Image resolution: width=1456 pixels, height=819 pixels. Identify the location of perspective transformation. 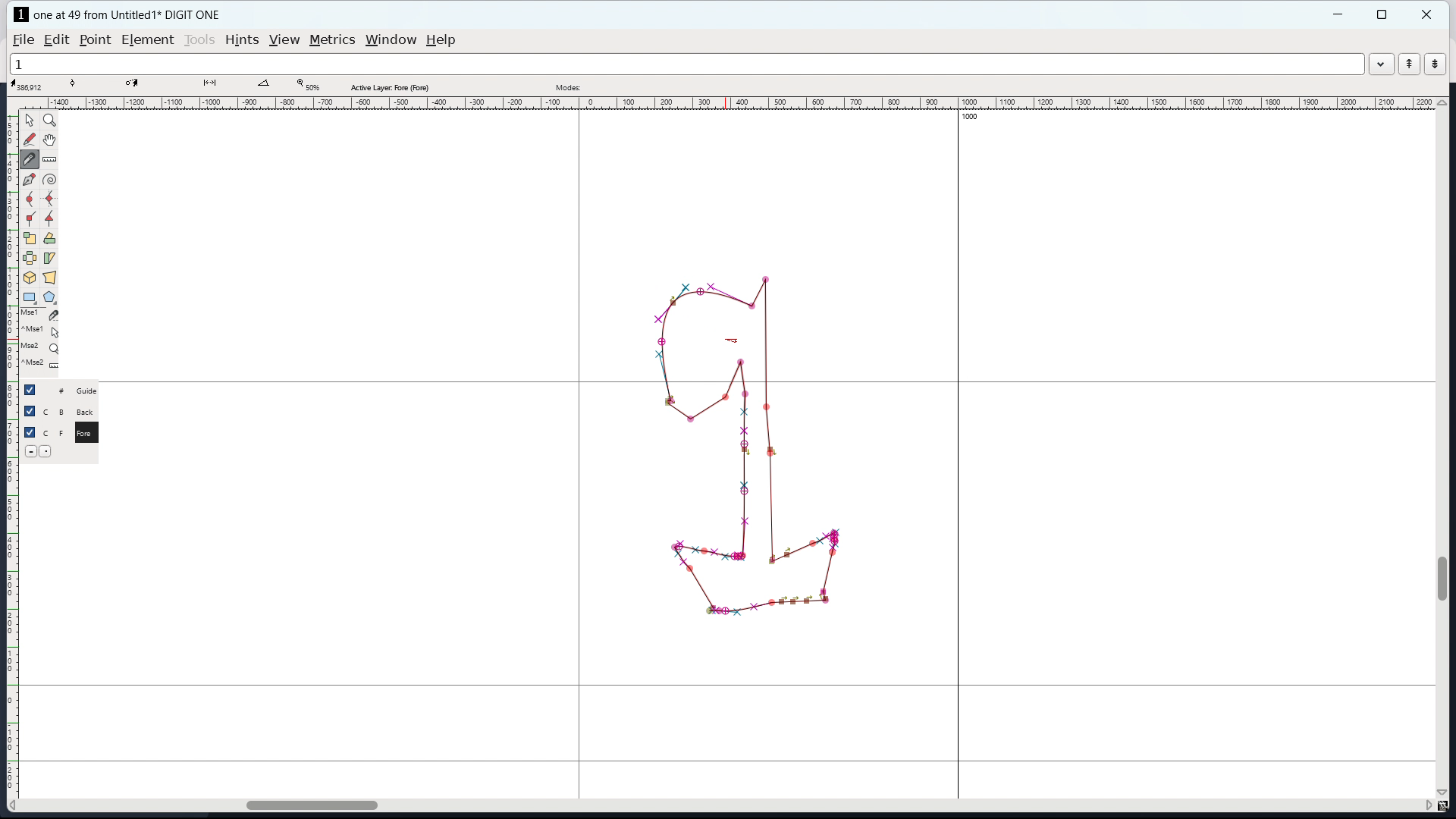
(50, 278).